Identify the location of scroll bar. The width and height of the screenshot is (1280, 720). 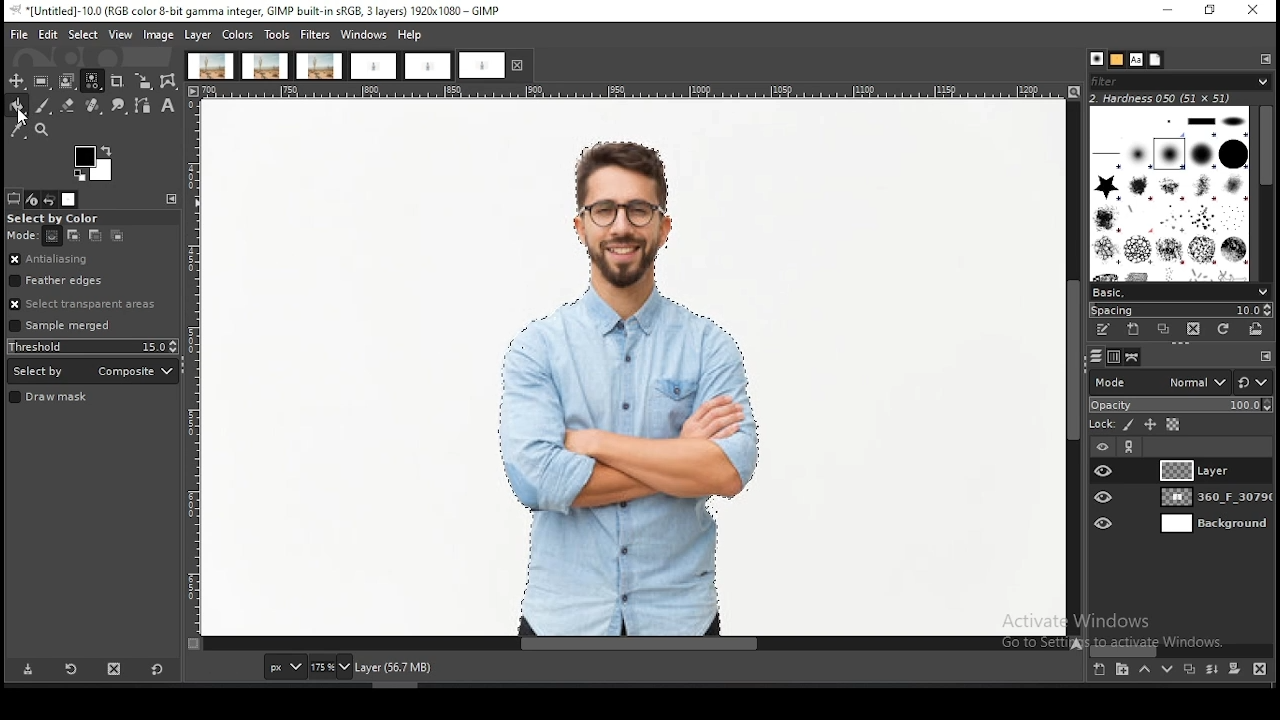
(1264, 194).